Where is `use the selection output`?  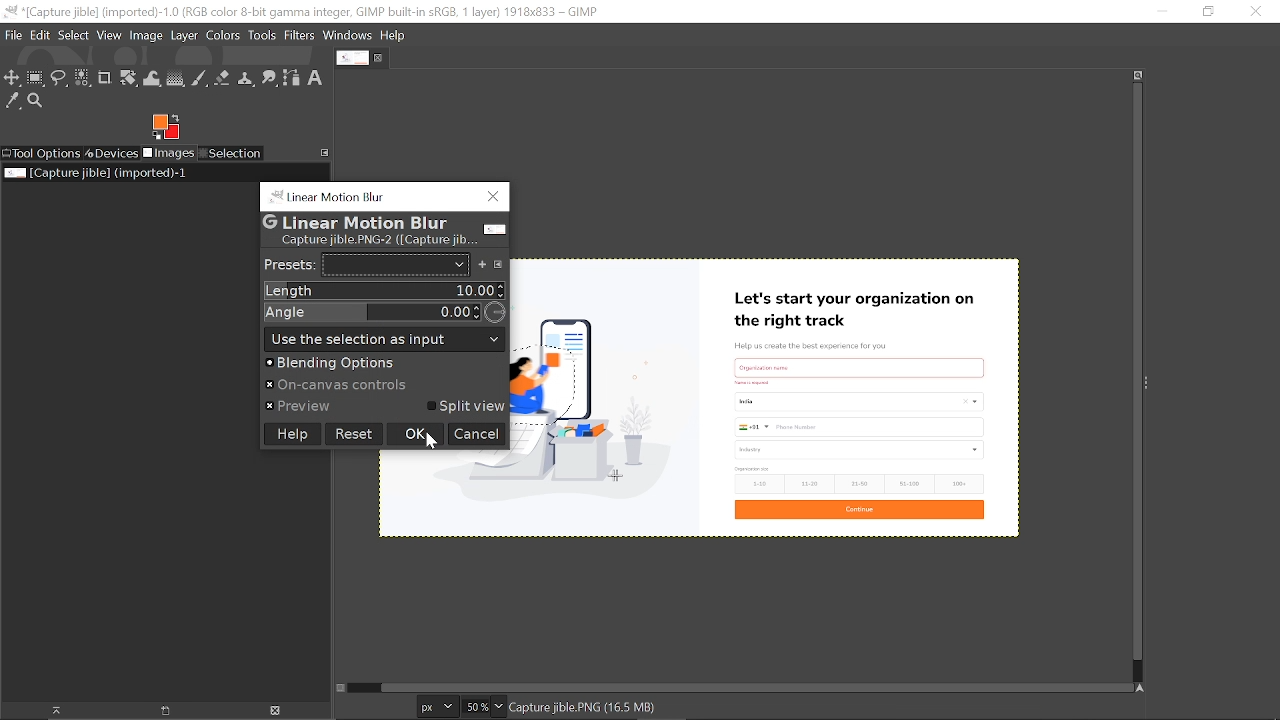
use the selection output is located at coordinates (384, 338).